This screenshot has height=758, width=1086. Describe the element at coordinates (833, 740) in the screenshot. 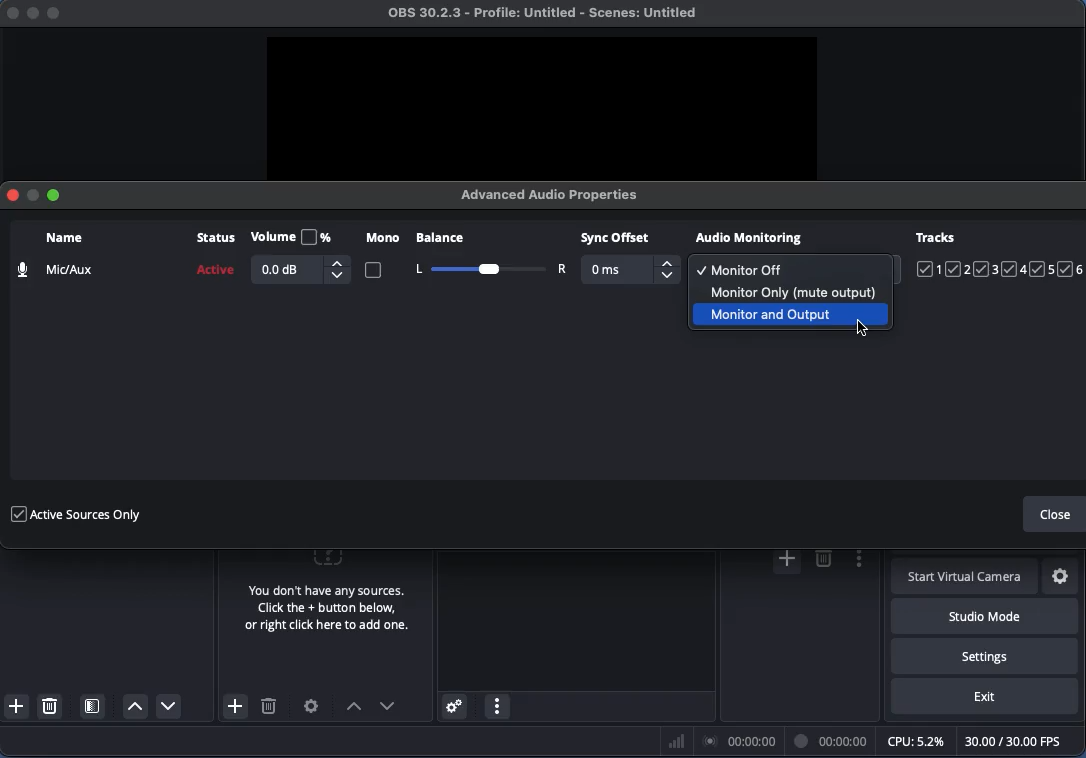

I see `Time` at that location.